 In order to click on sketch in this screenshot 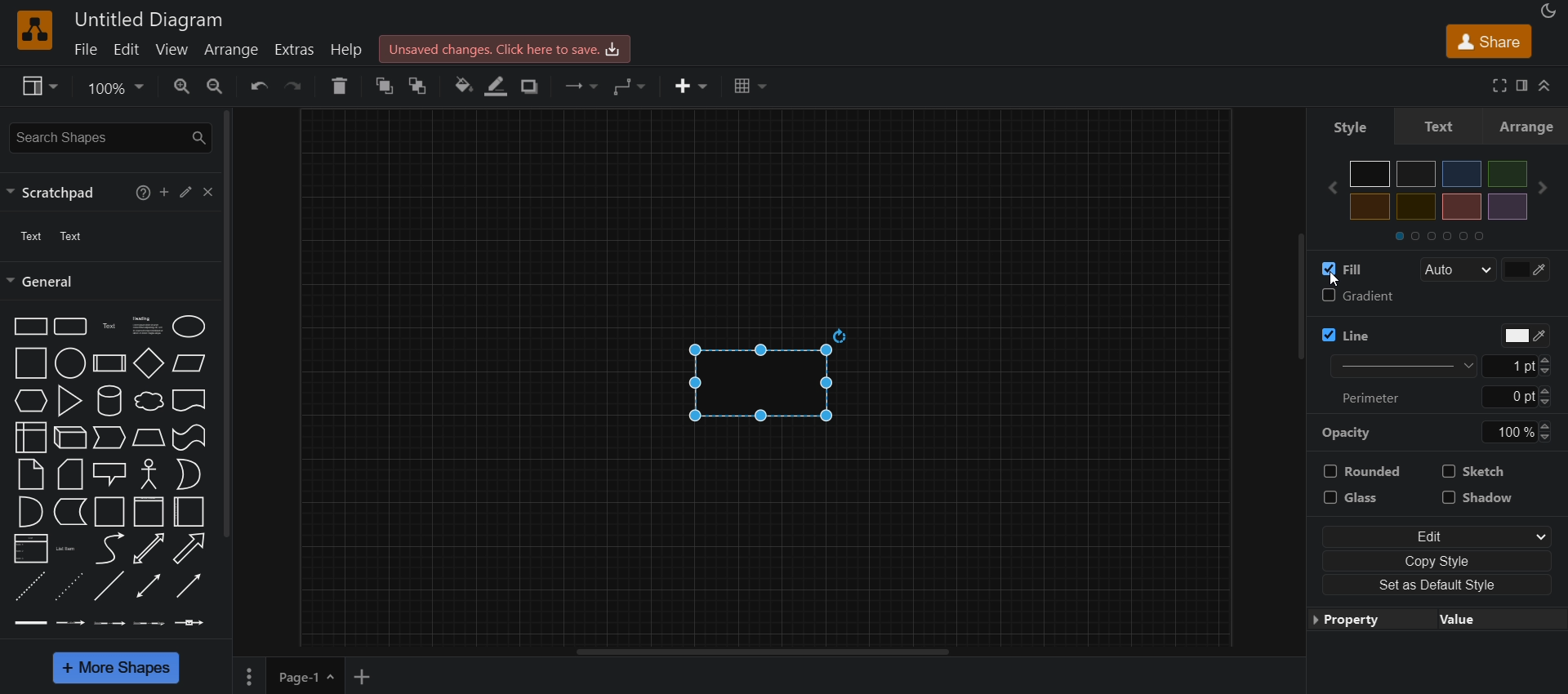, I will do `click(1476, 471)`.